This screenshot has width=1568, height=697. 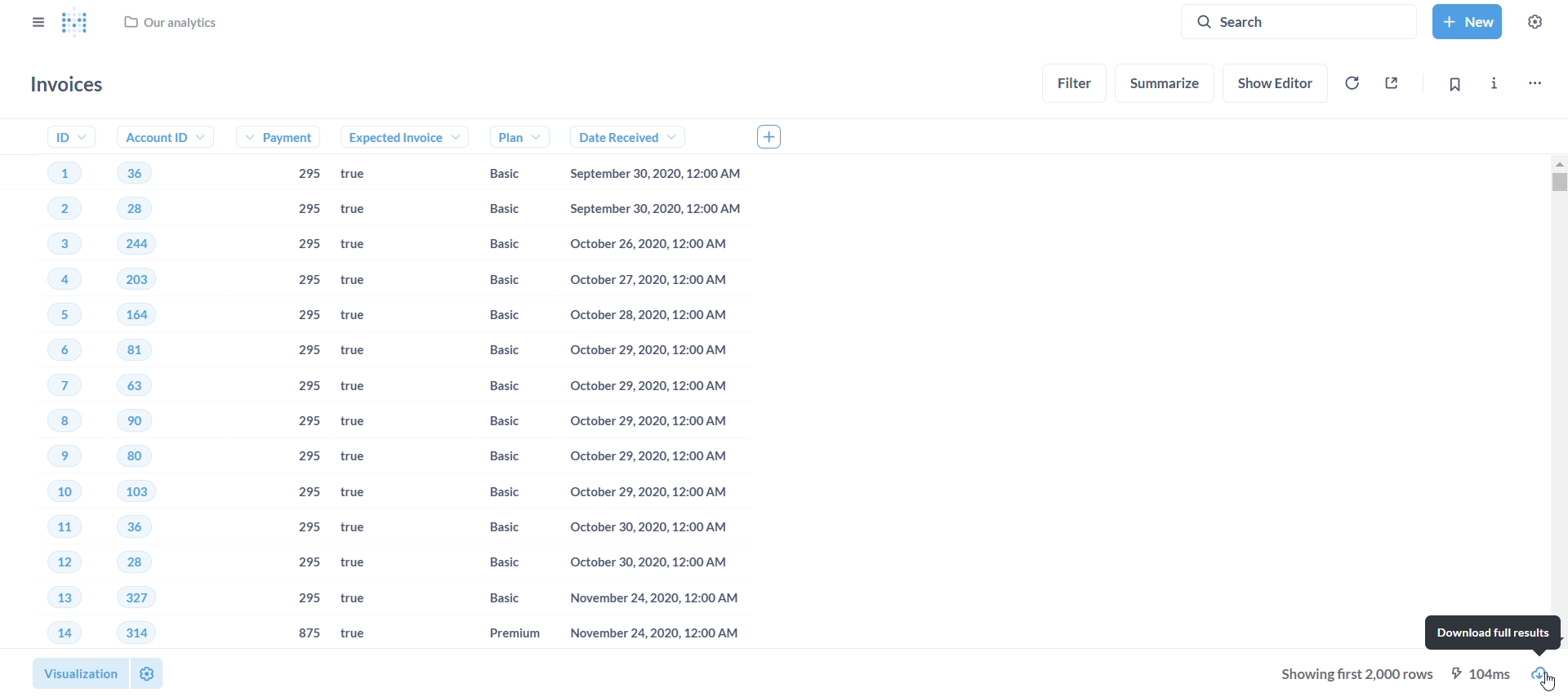 What do you see at coordinates (359, 563) in the screenshot?
I see `true` at bounding box center [359, 563].